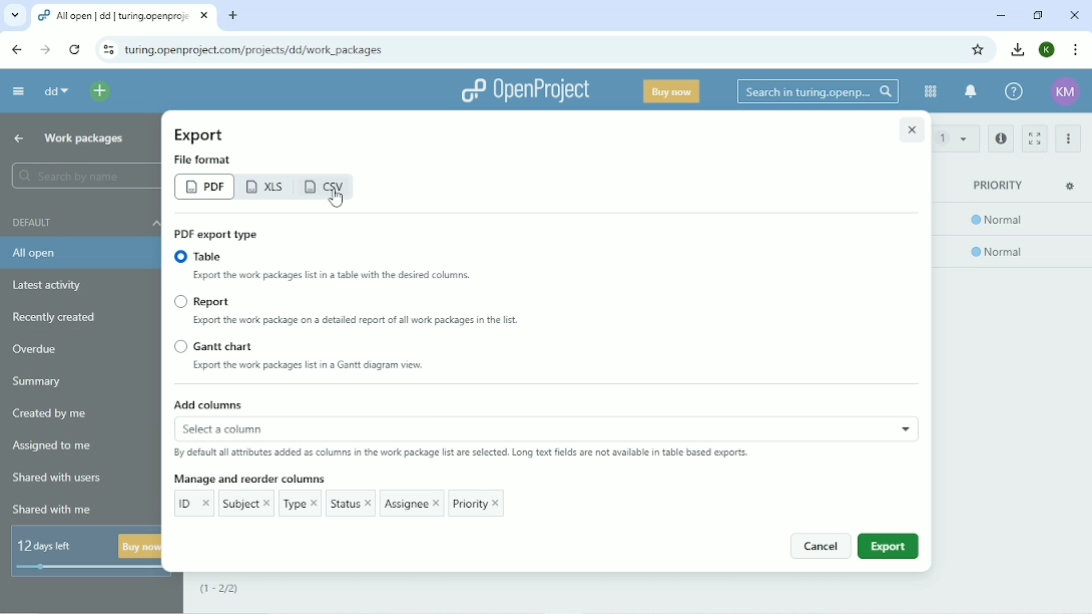  What do you see at coordinates (203, 187) in the screenshot?
I see `PDF` at bounding box center [203, 187].